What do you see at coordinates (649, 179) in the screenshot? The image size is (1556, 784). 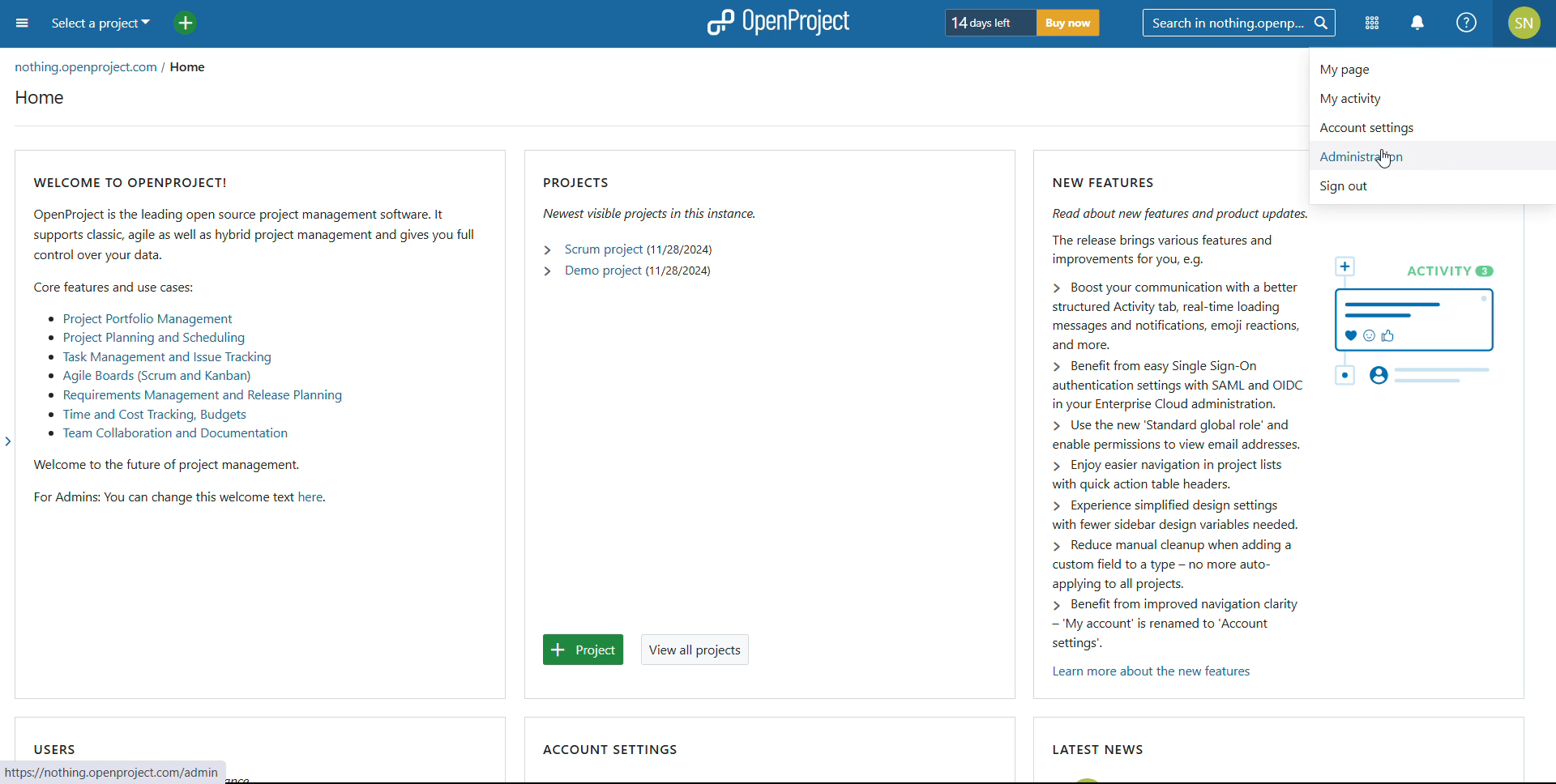 I see `projects` at bounding box center [649, 179].